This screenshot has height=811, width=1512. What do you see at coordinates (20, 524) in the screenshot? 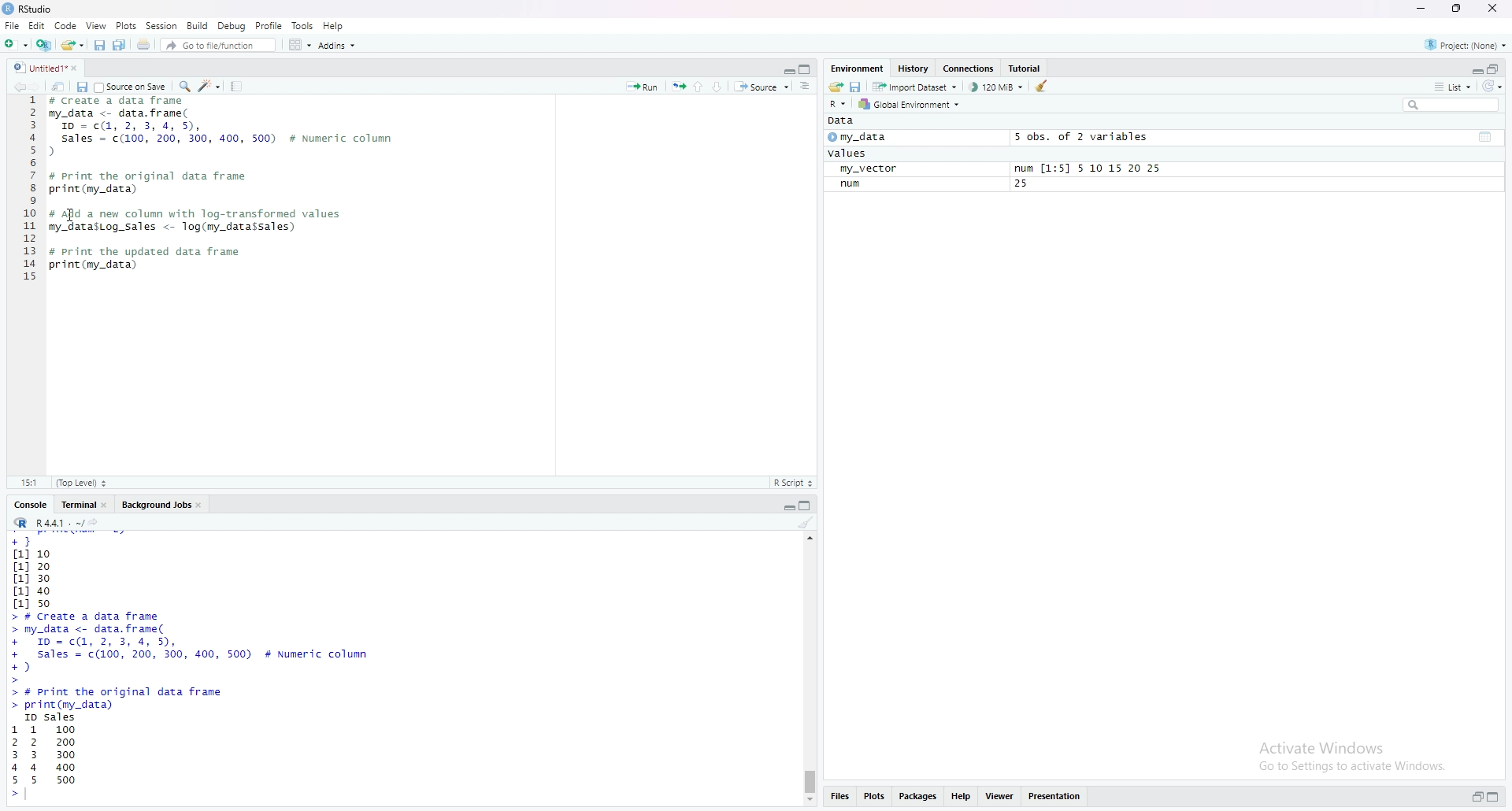
I see `R` at bounding box center [20, 524].